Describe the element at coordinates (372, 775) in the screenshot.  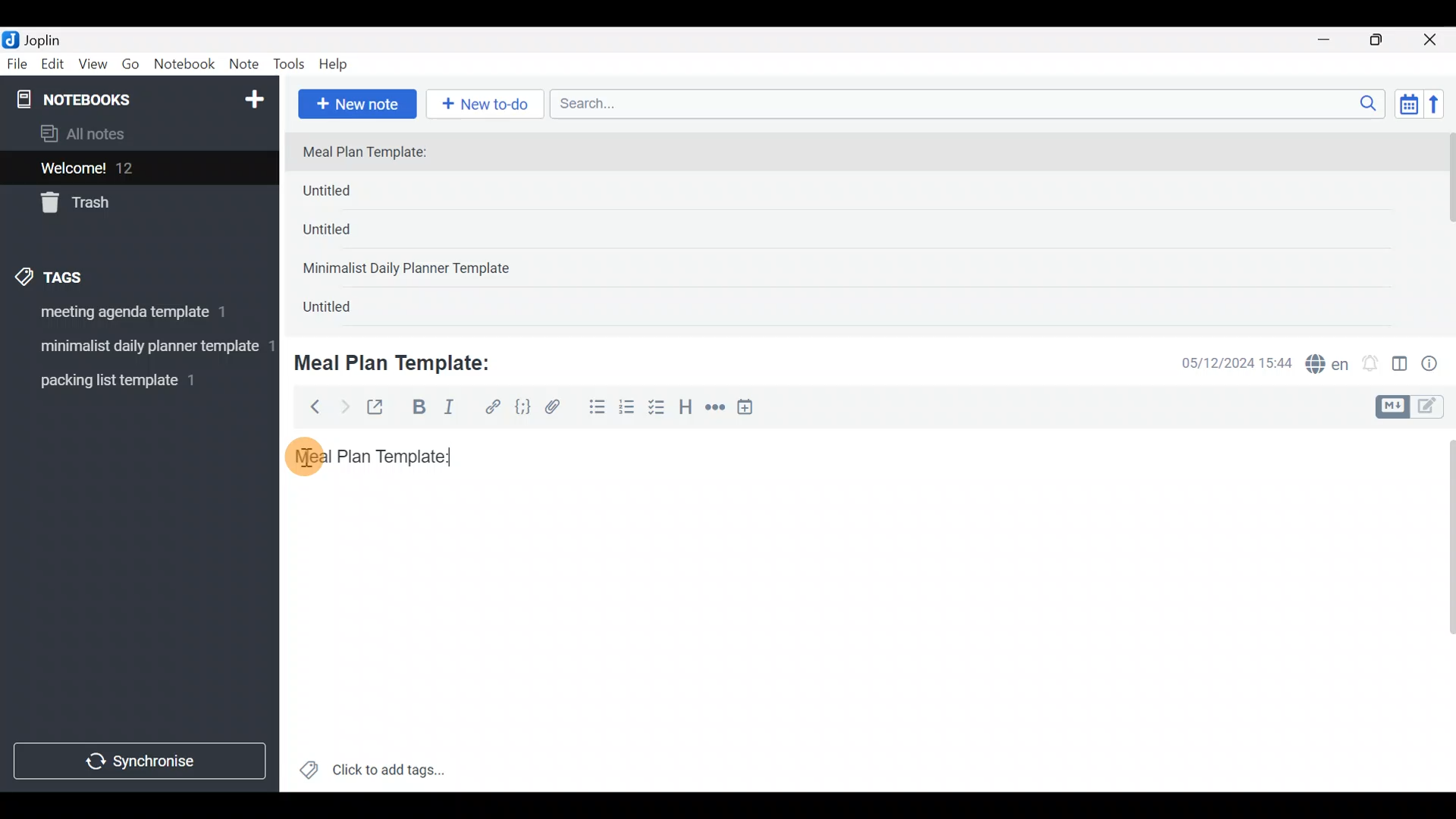
I see `Click to add tags` at that location.